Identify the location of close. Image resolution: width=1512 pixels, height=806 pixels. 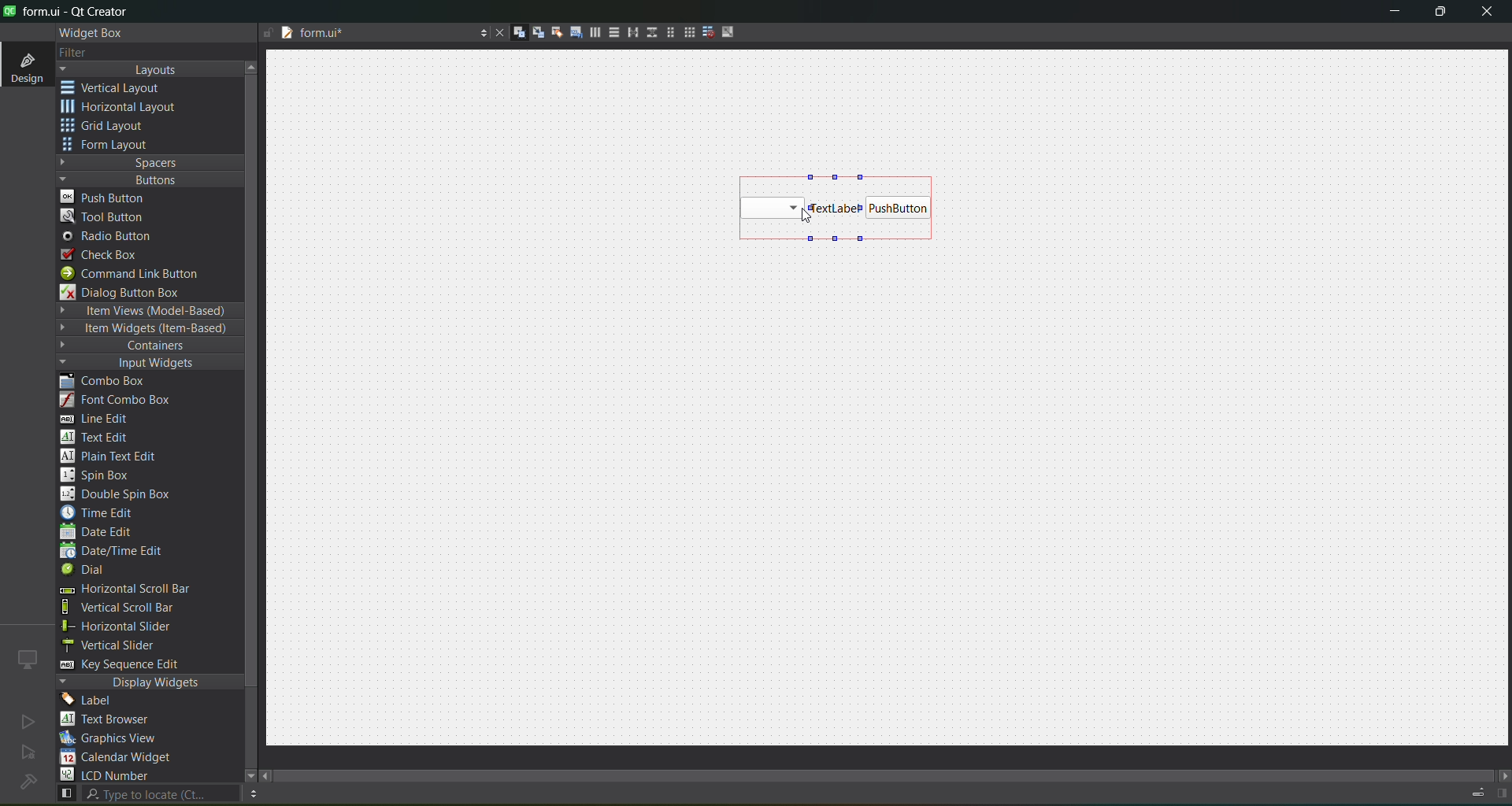
(1487, 13).